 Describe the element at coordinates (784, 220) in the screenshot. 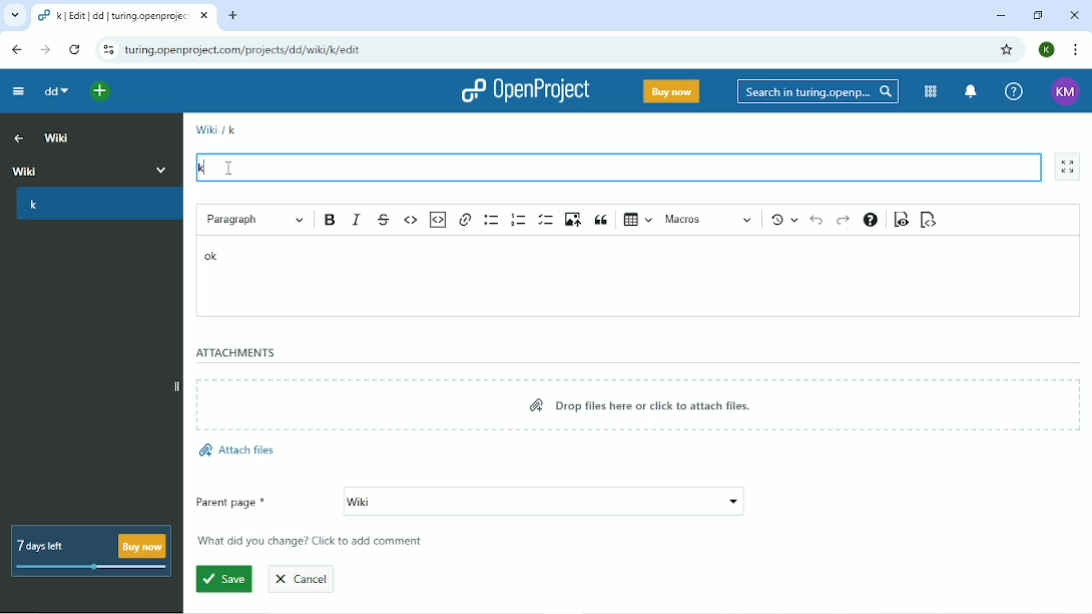

I see `Show local modifications` at that location.